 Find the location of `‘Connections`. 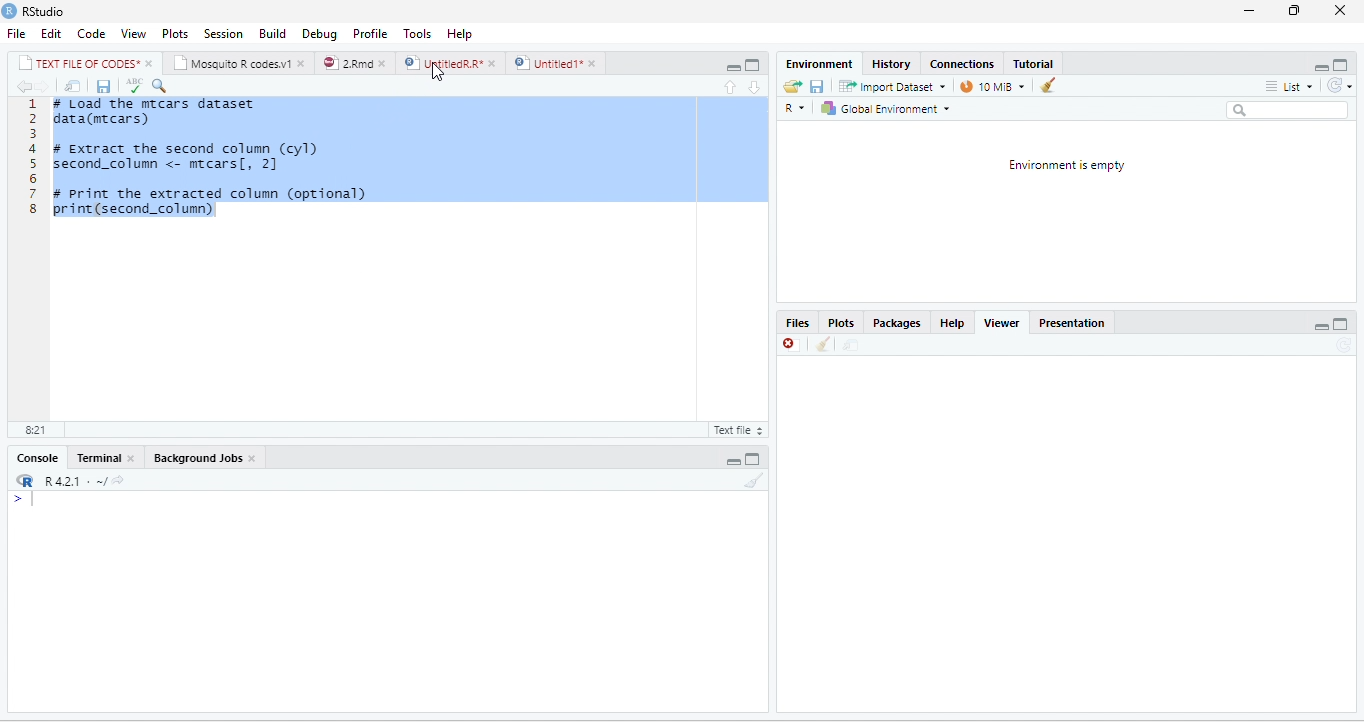

‘Connections is located at coordinates (961, 64).